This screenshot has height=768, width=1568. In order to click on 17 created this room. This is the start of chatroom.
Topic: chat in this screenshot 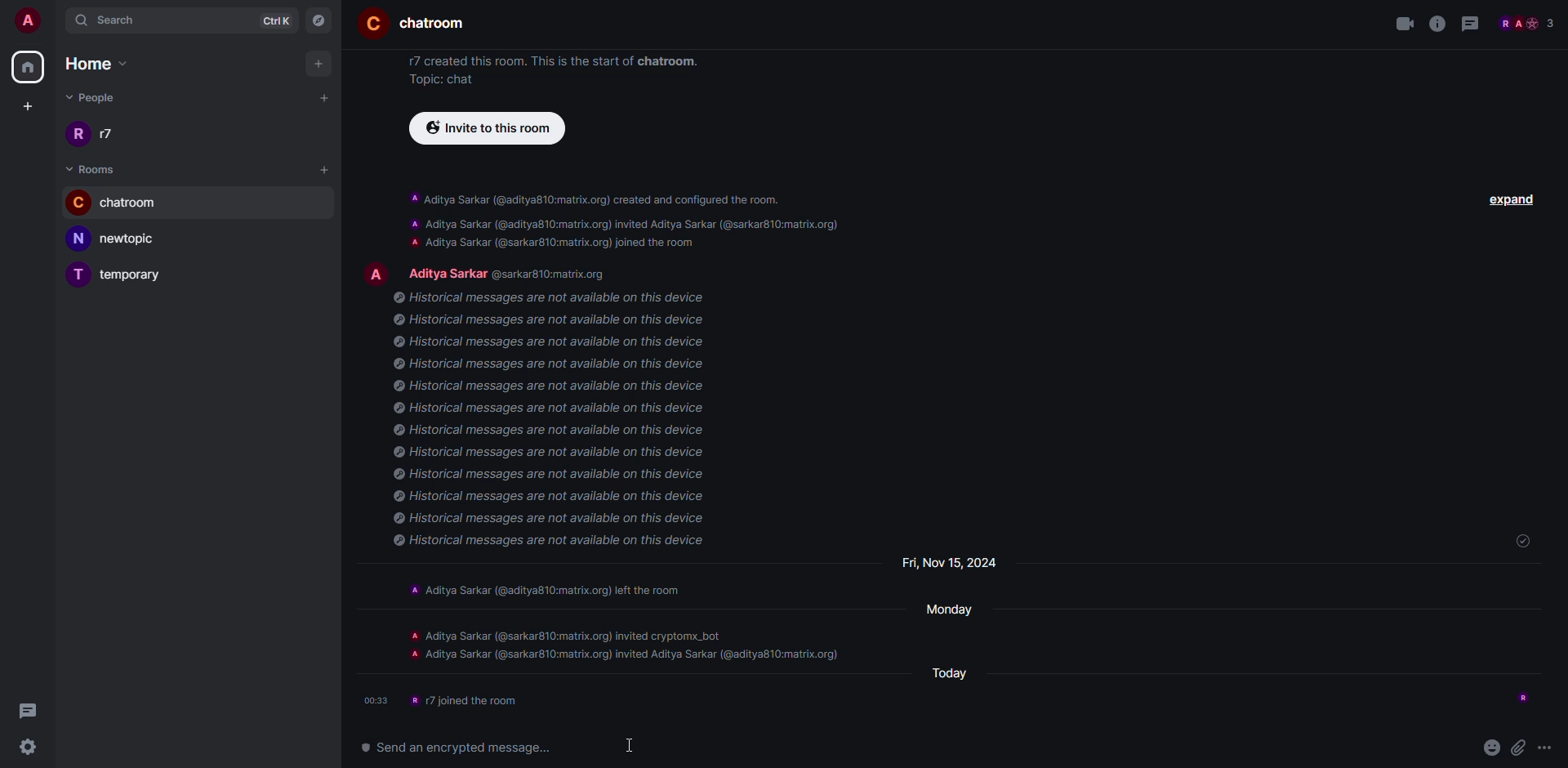, I will do `click(549, 69)`.